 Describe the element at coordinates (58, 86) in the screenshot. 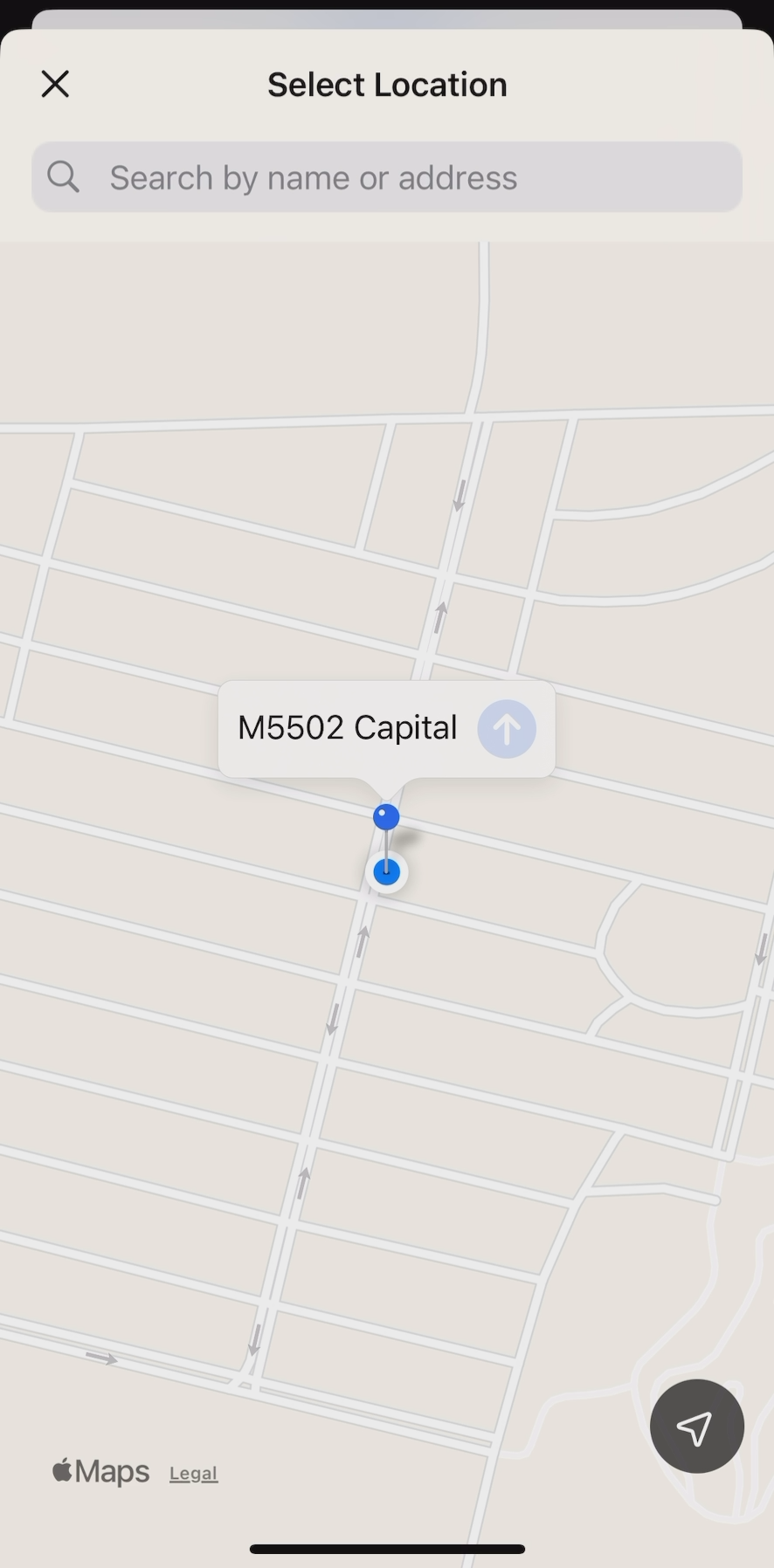

I see `map close` at that location.